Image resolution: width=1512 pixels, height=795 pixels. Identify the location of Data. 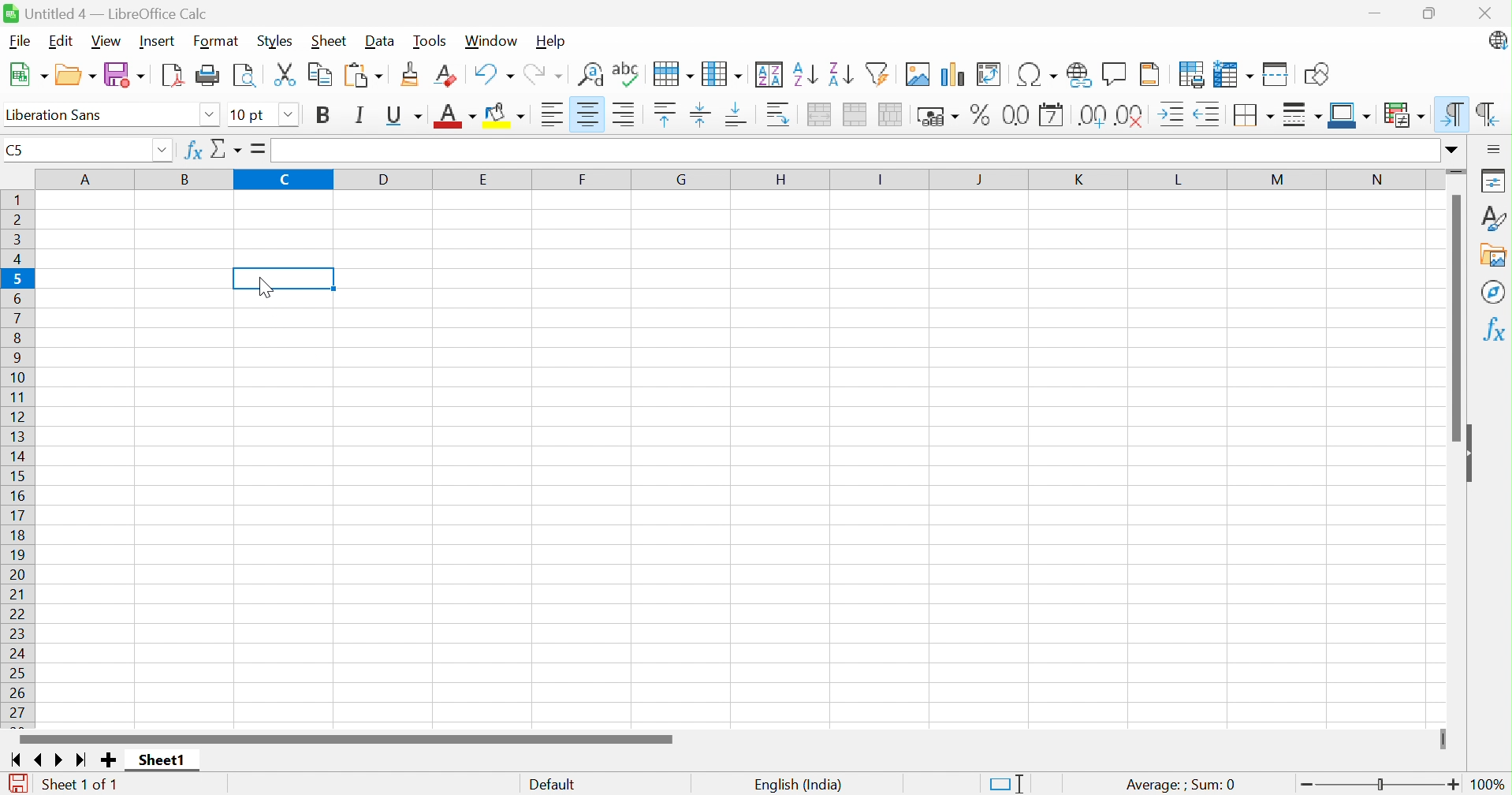
(382, 40).